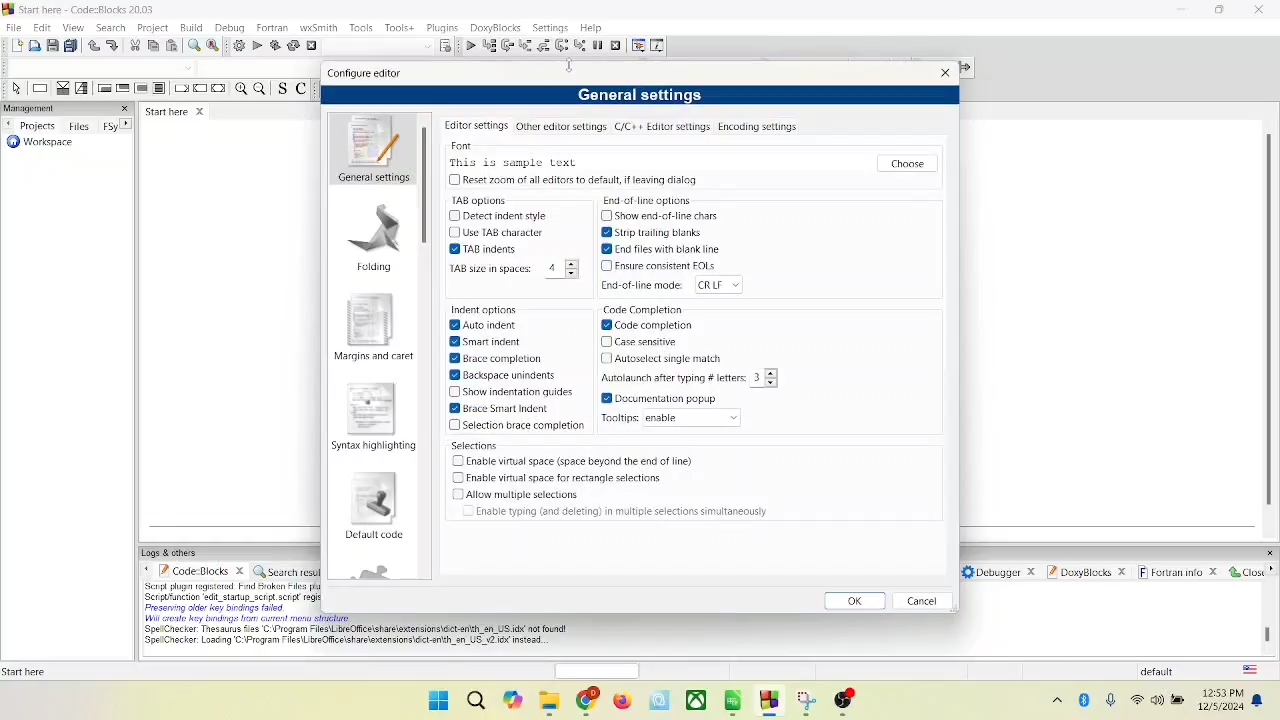 This screenshot has width=1280, height=720. I want to click on folder, so click(547, 704).